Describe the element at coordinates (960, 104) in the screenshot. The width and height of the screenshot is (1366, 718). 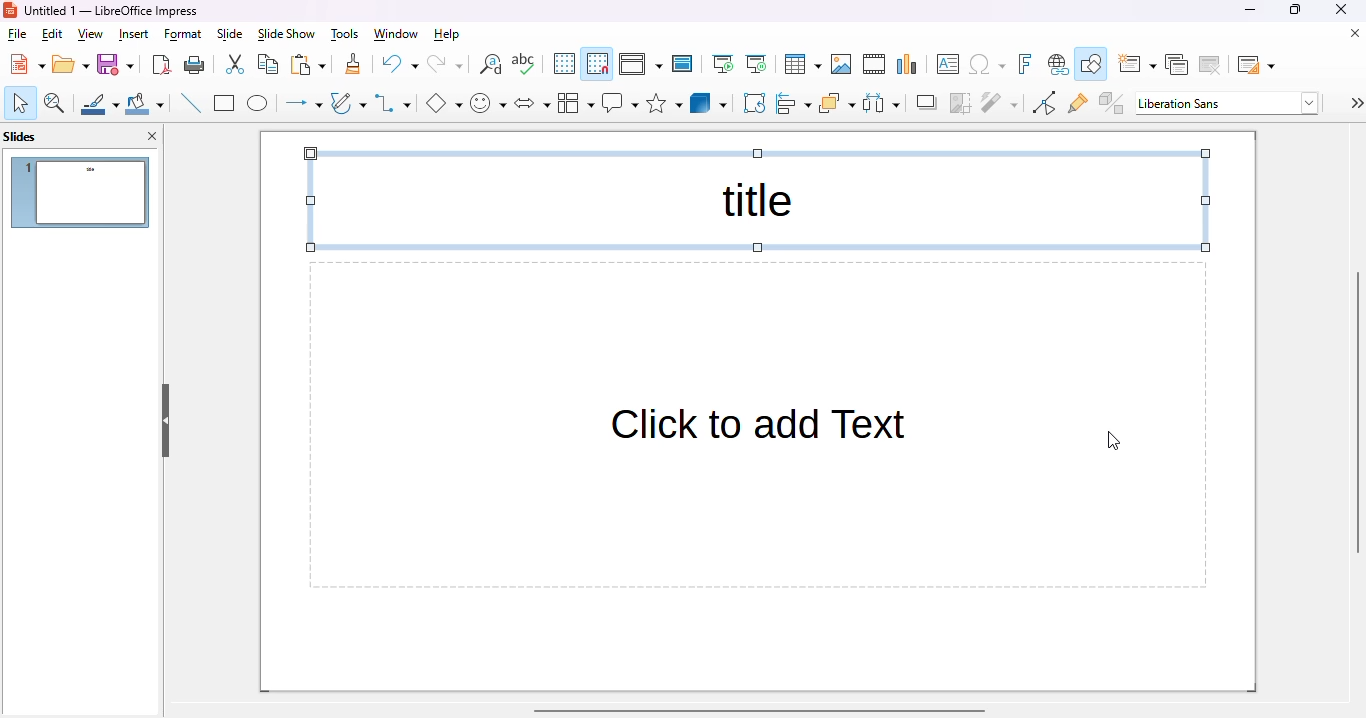
I see `crop image` at that location.